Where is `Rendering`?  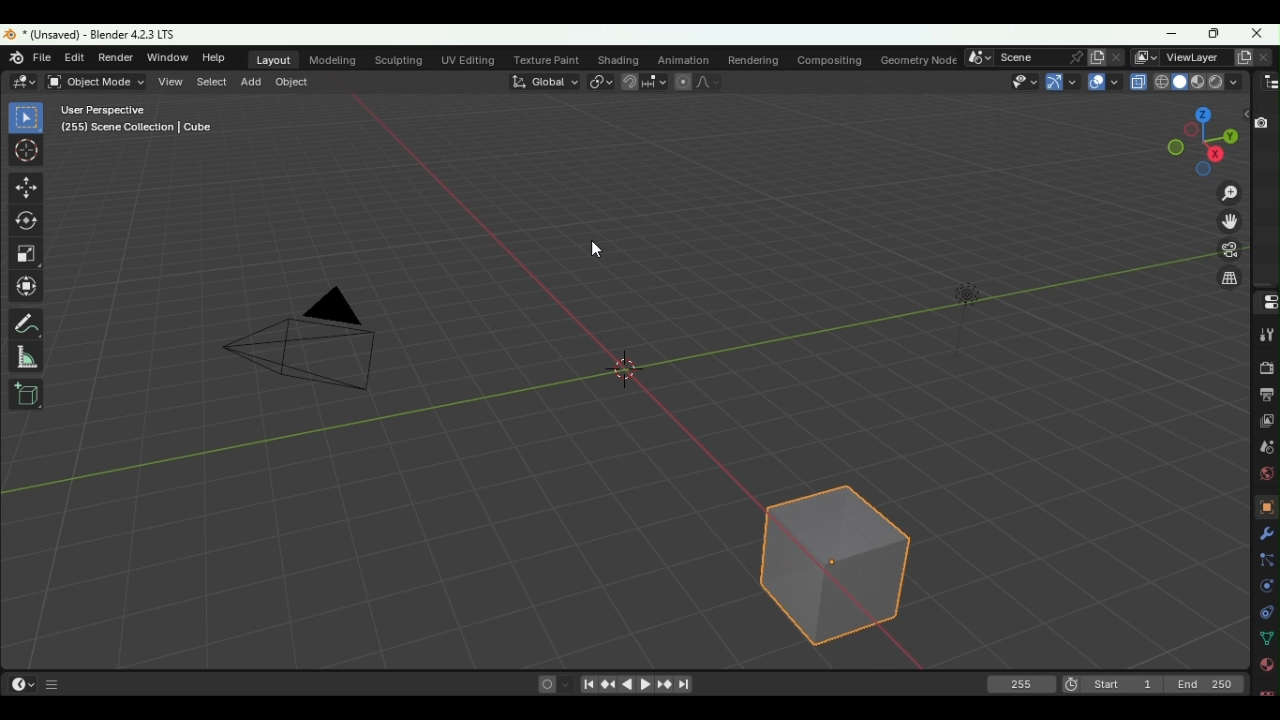 Rendering is located at coordinates (752, 58).